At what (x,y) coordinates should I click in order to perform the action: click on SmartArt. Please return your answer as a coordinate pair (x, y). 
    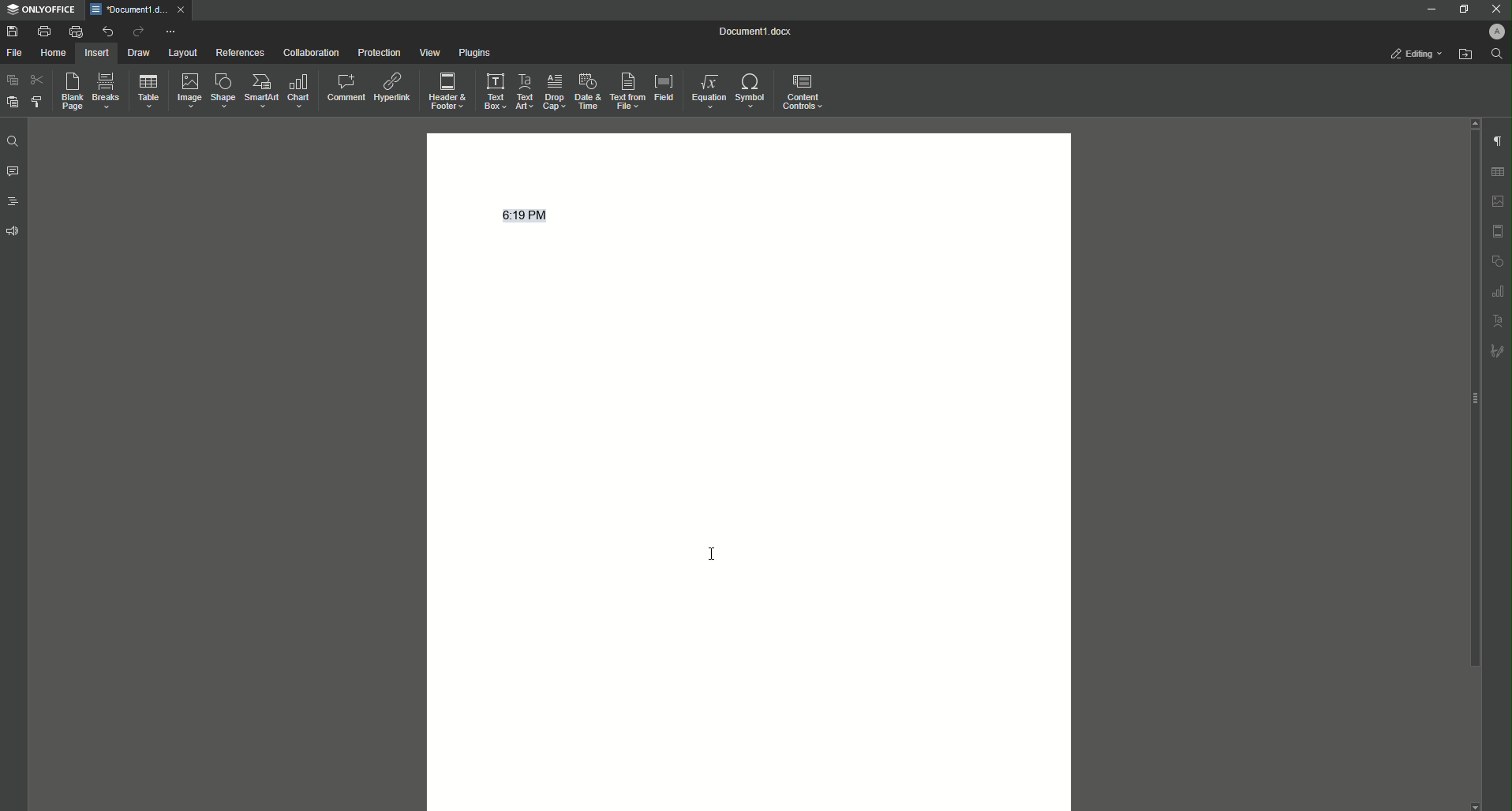
    Looking at the image, I should click on (259, 92).